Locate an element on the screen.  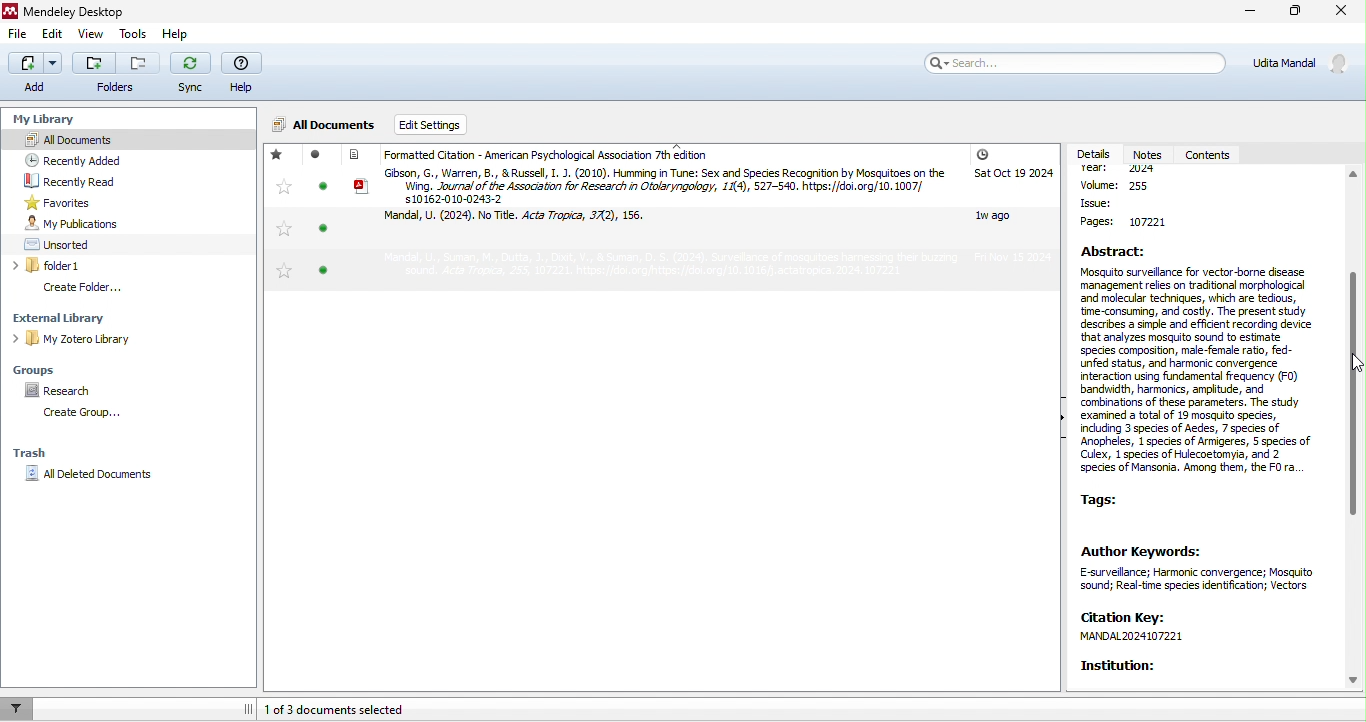
file is located at coordinates (20, 37).